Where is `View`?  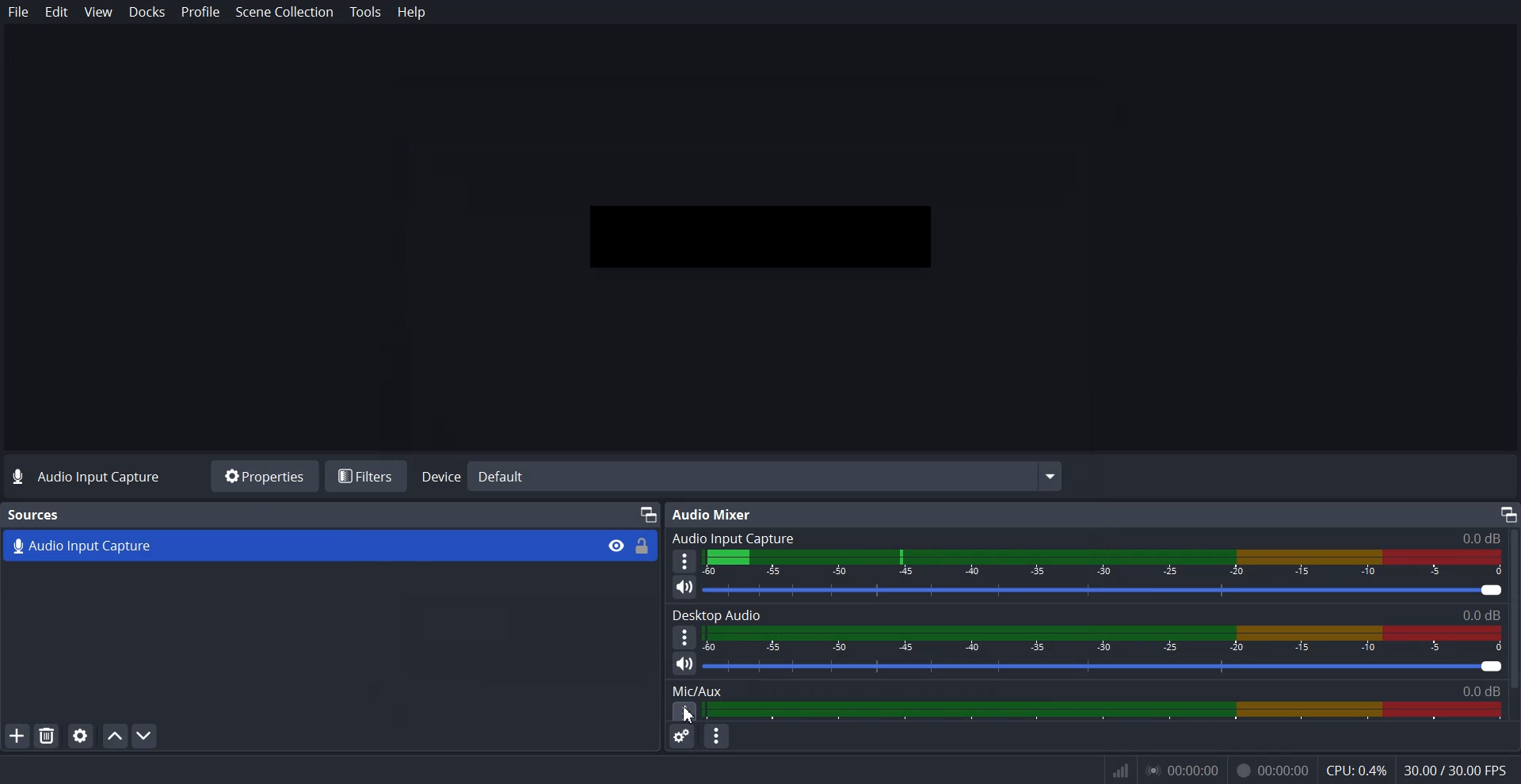
View is located at coordinates (97, 11).